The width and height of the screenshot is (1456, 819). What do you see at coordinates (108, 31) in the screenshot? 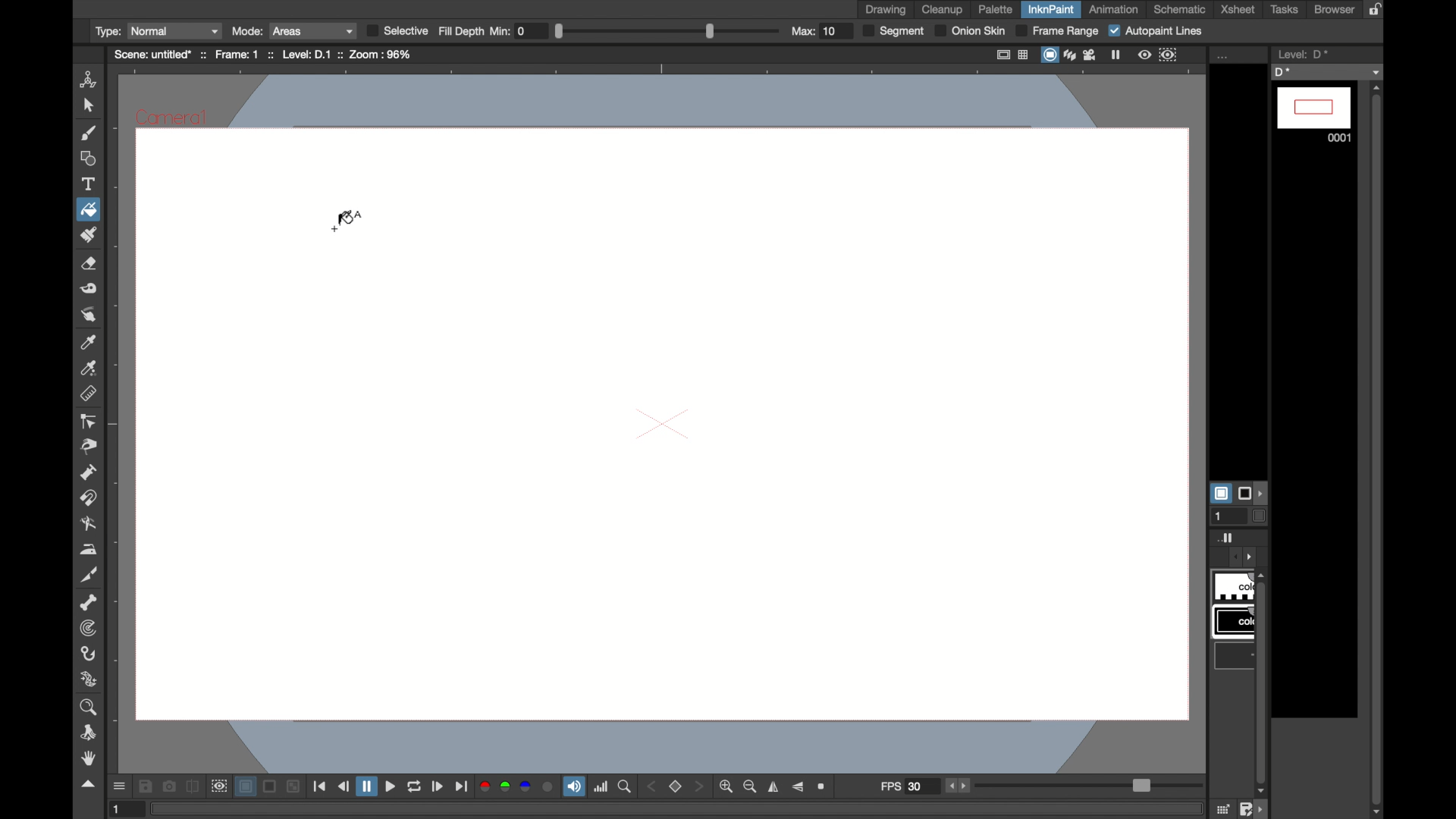
I see `Type:` at bounding box center [108, 31].